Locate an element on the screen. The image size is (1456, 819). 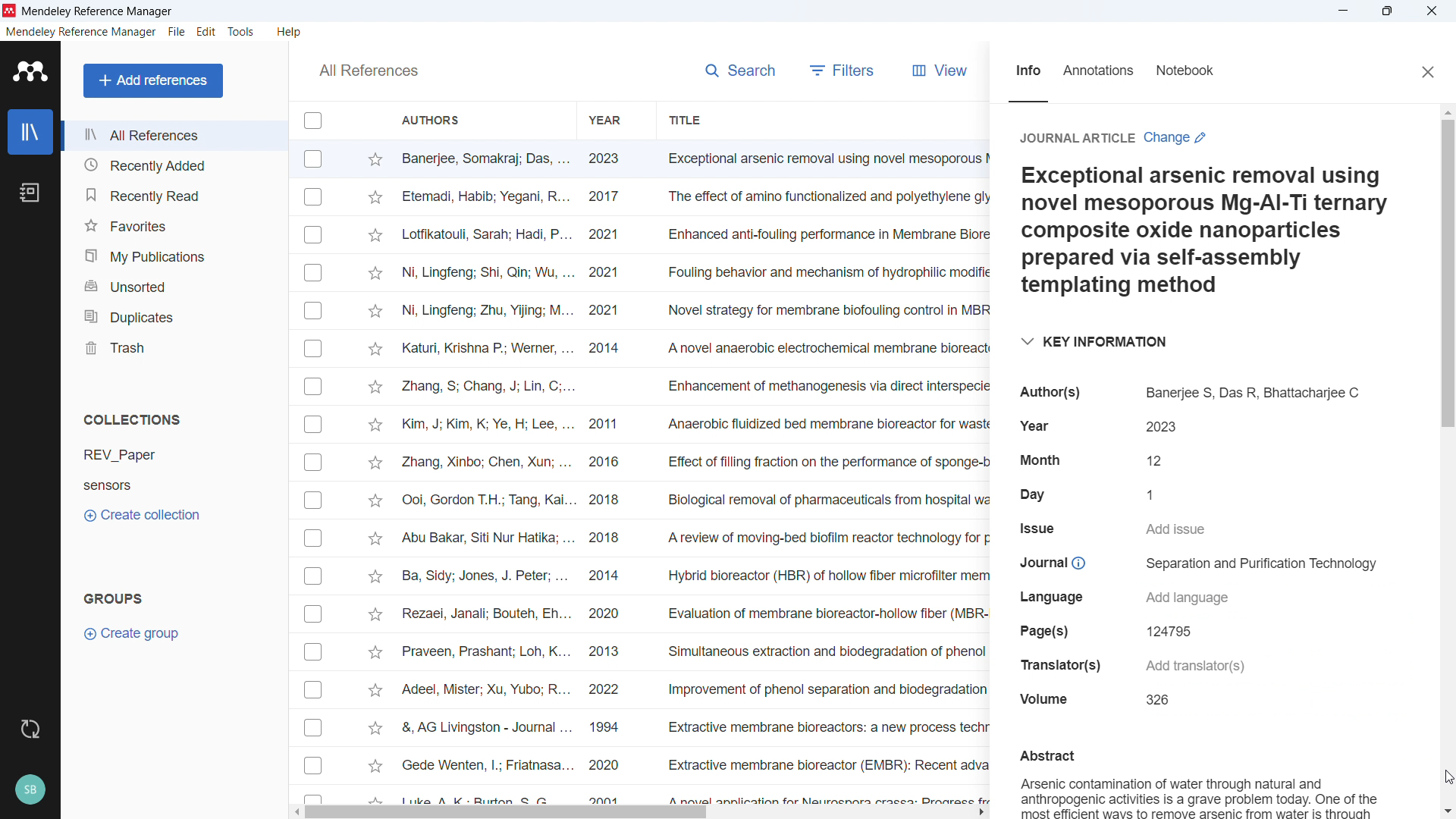
click to select individual entry is located at coordinates (313, 767).